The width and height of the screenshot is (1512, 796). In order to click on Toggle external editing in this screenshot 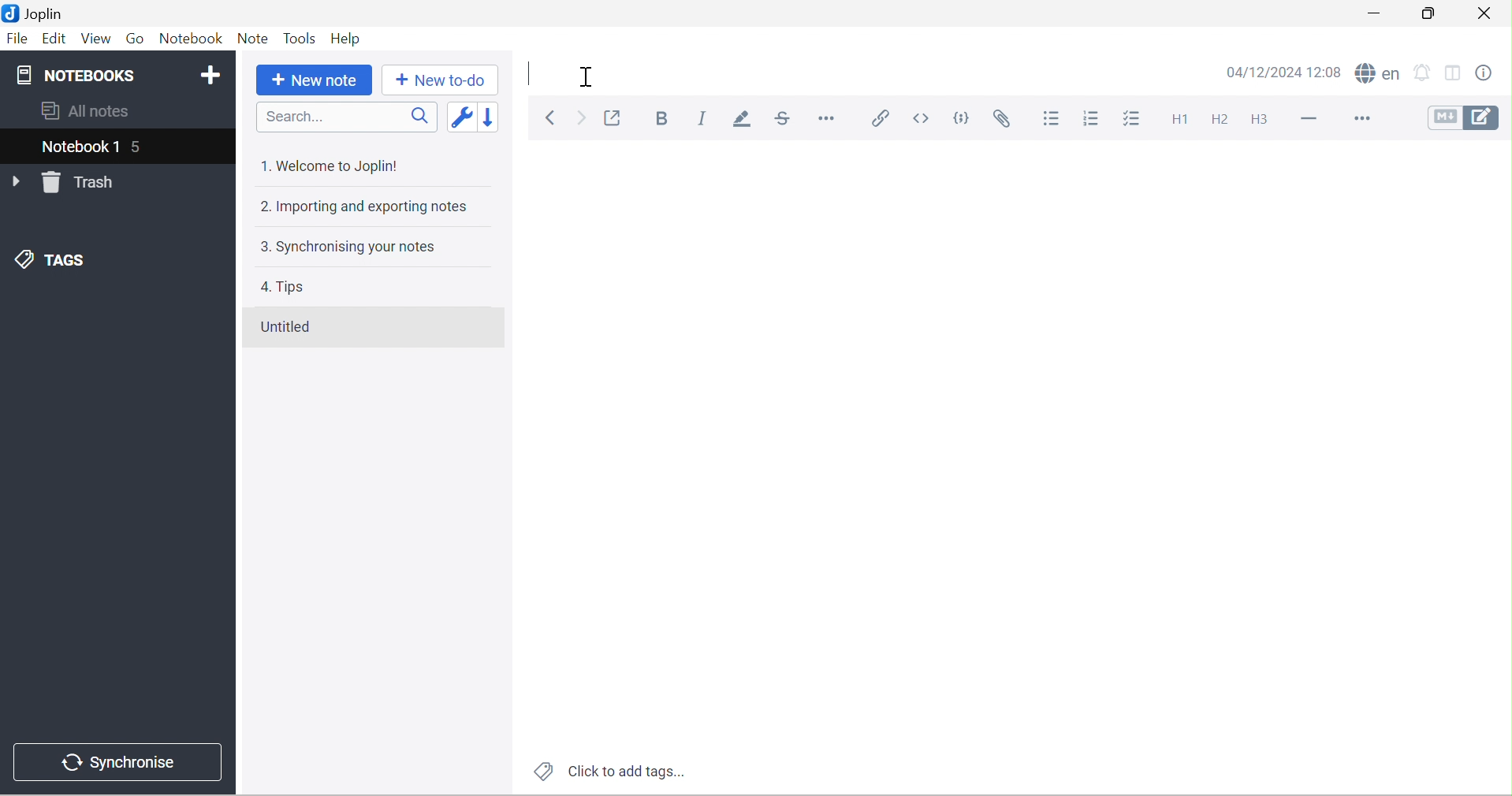, I will do `click(614, 117)`.